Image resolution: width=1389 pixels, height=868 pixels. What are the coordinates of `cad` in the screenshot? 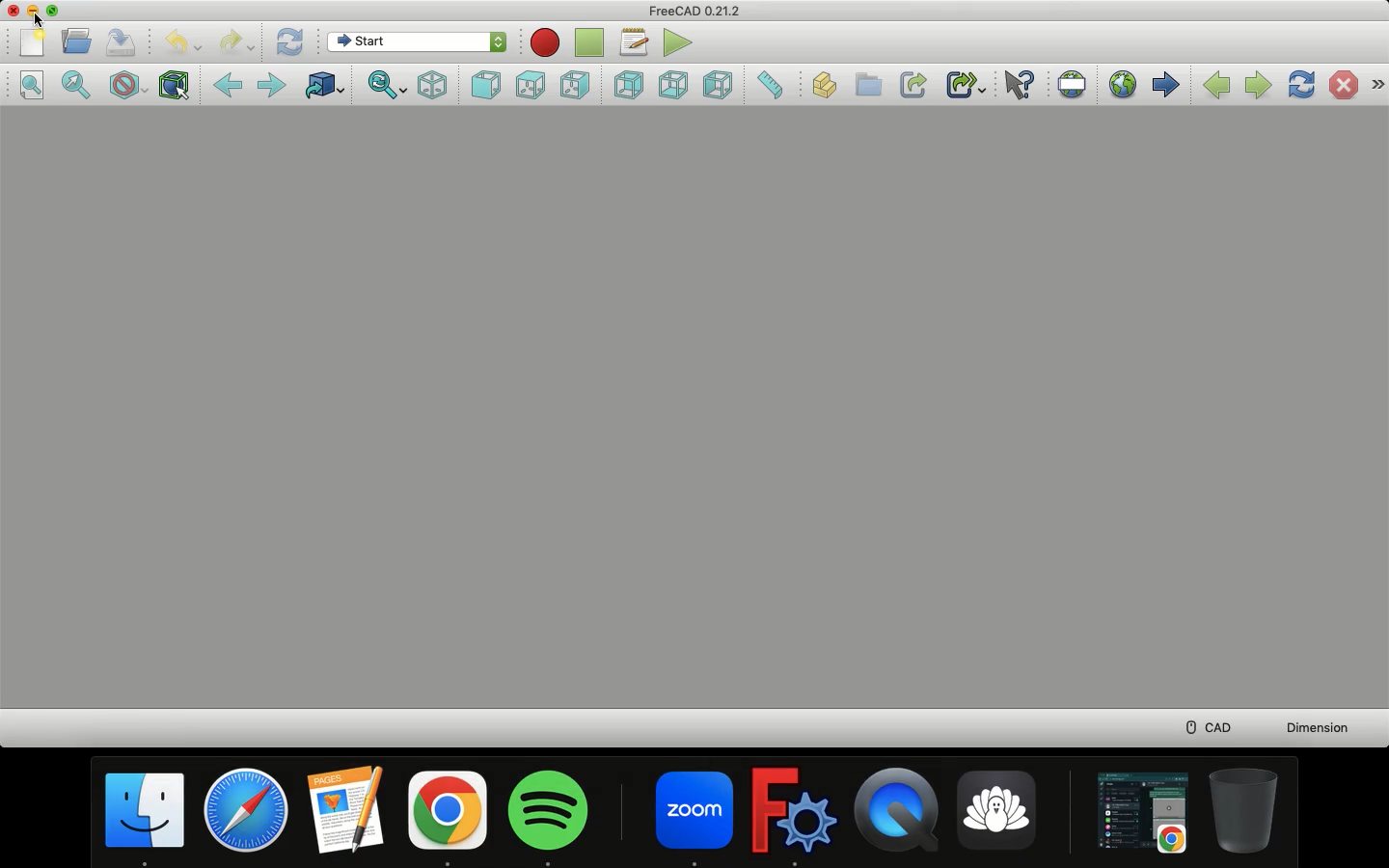 It's located at (1201, 723).